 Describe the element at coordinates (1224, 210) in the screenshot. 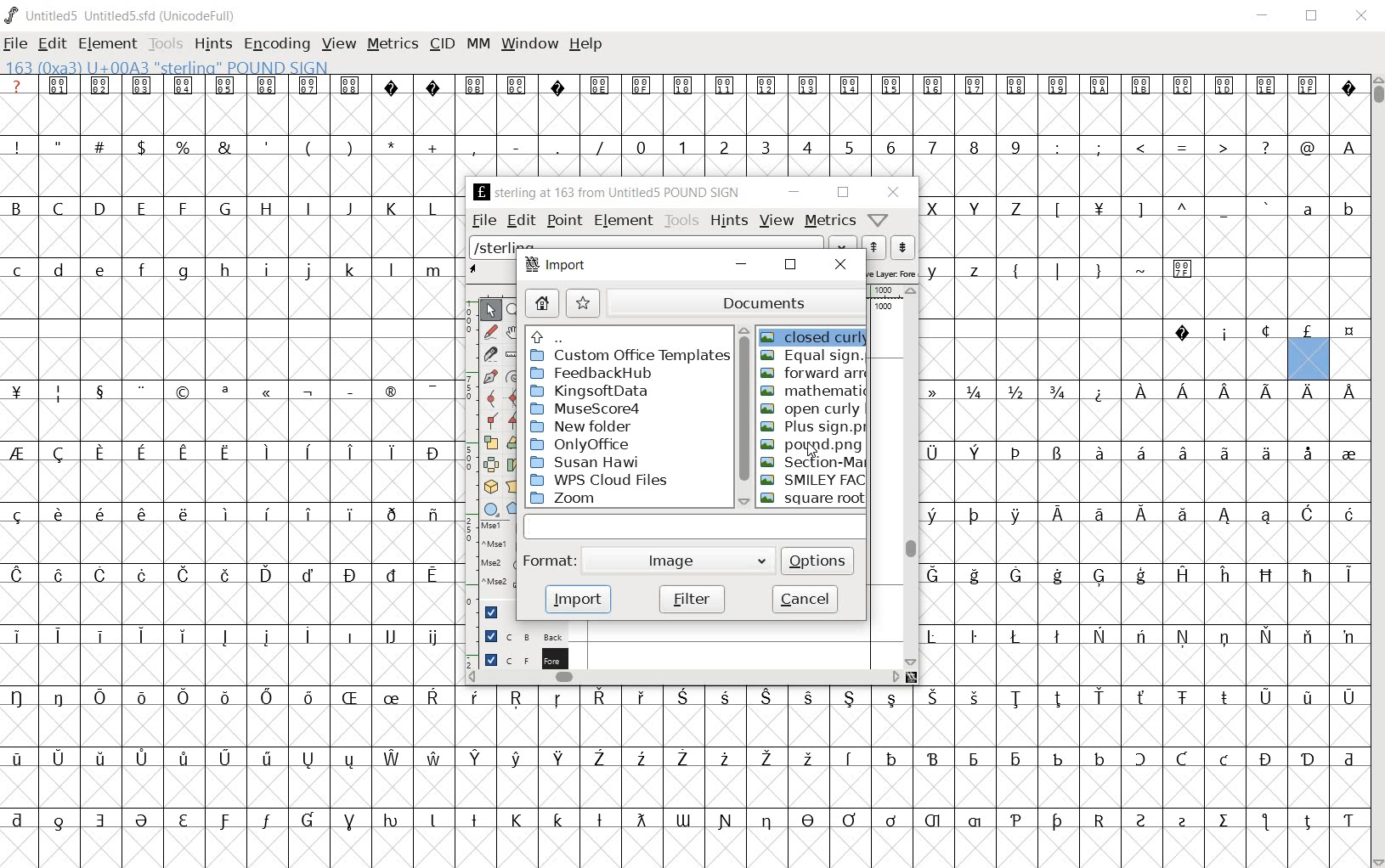

I see `_` at that location.